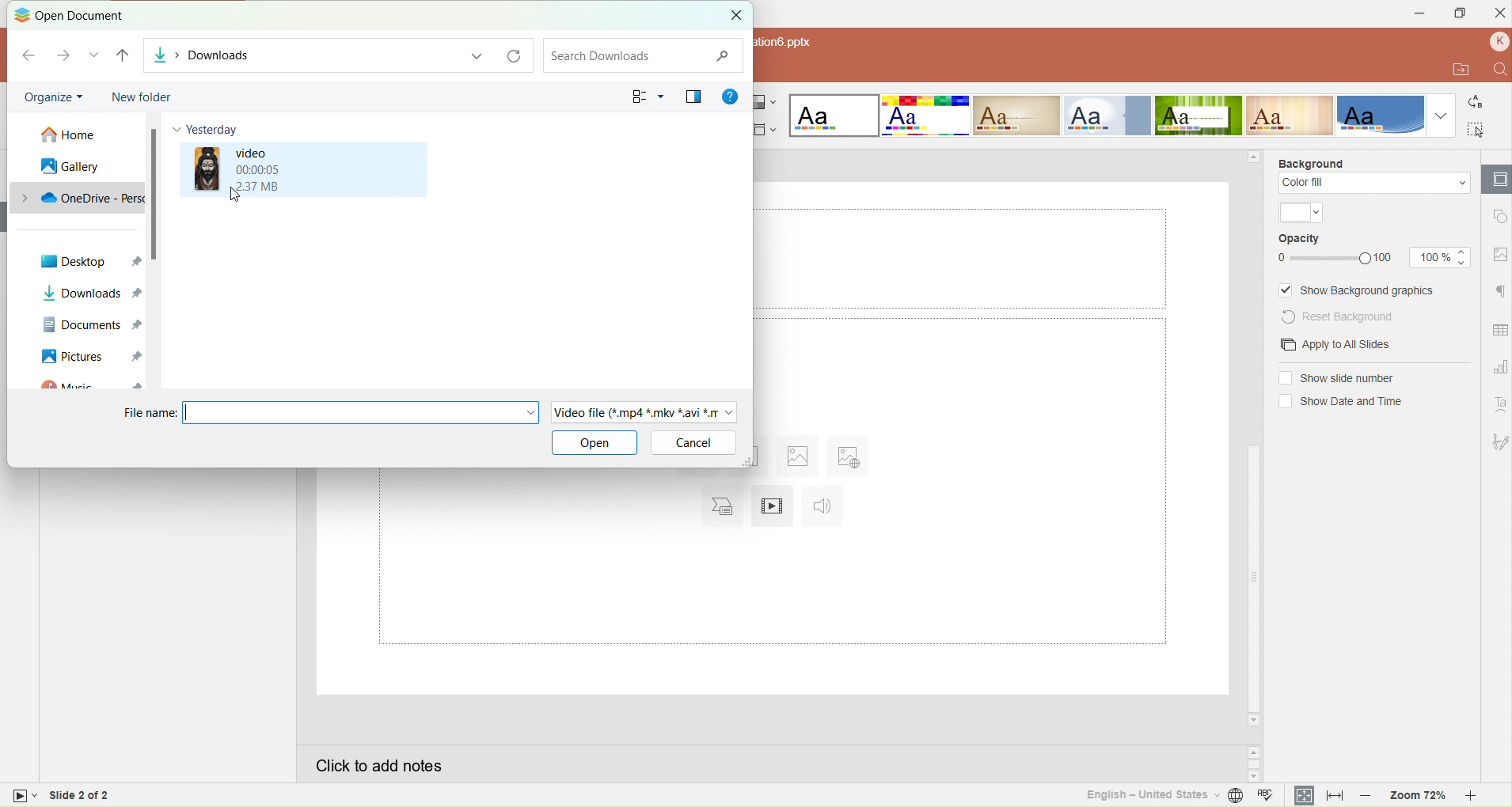 The height and width of the screenshot is (807, 1512). I want to click on Table setting, so click(1498, 328).